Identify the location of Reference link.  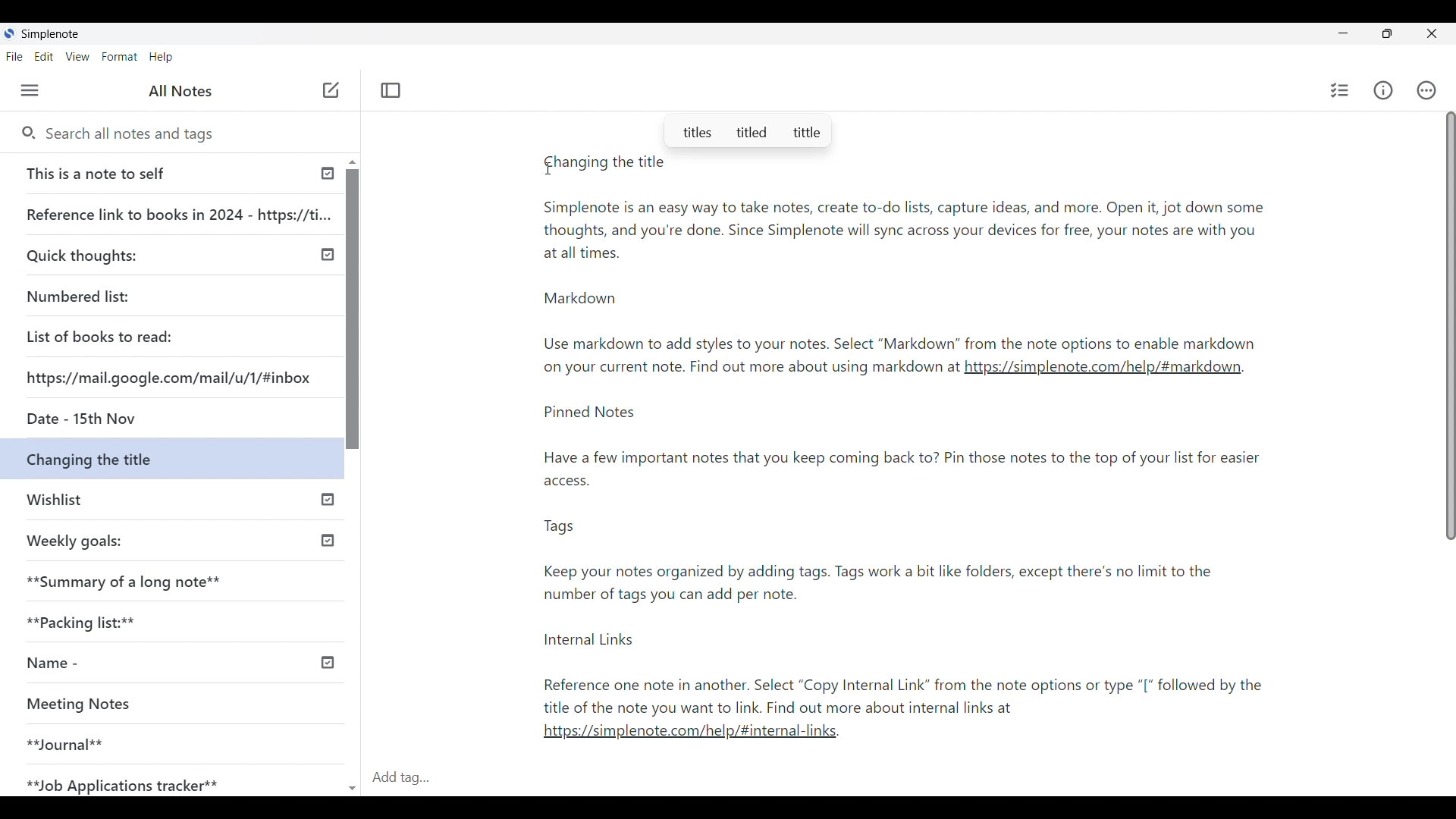
(180, 211).